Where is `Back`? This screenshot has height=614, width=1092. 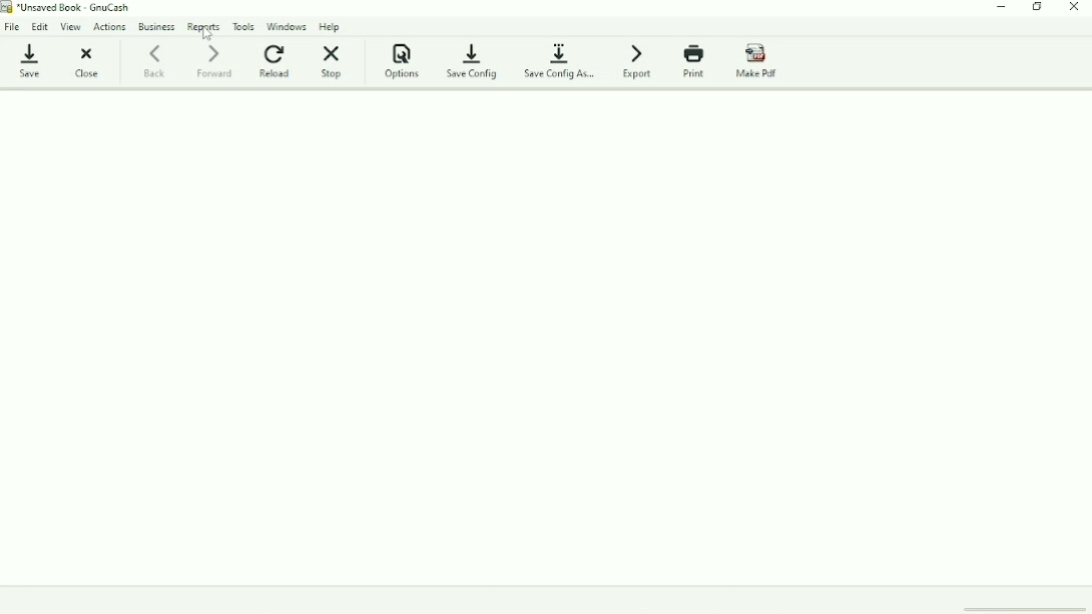 Back is located at coordinates (157, 60).